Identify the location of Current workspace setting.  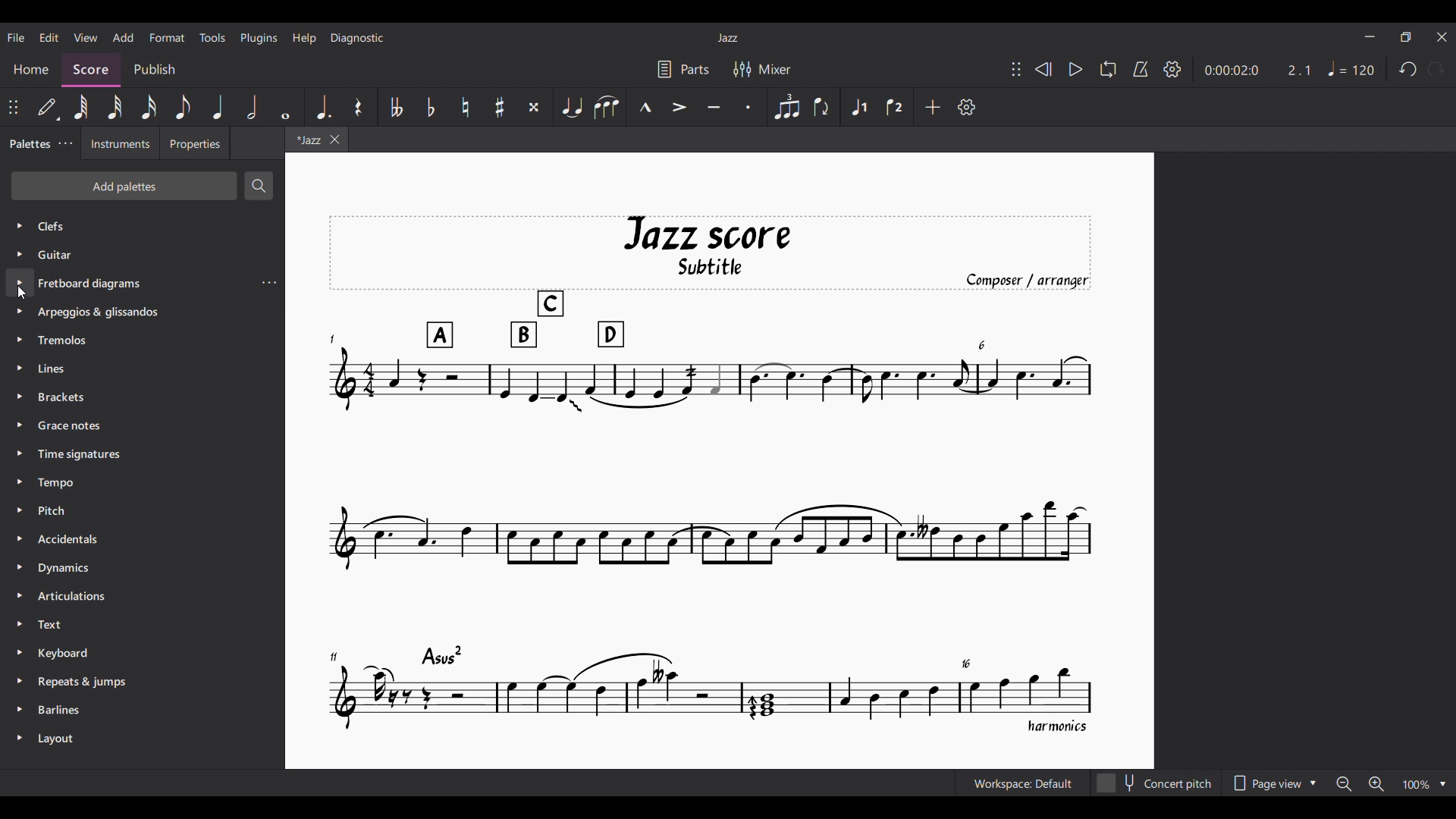
(1023, 783).